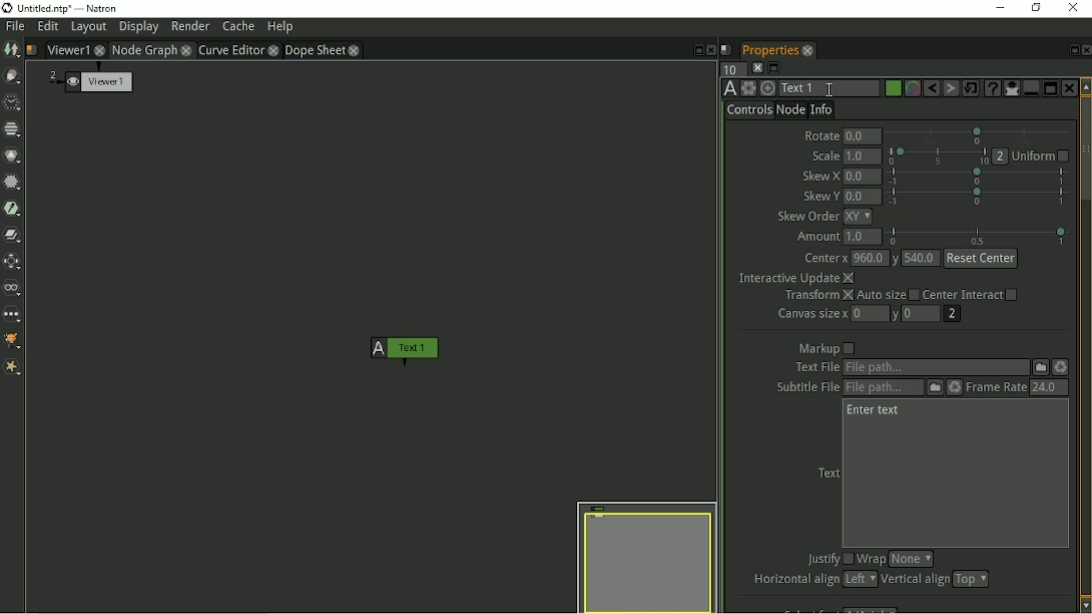 The image size is (1092, 614). What do you see at coordinates (816, 366) in the screenshot?
I see `text file` at bounding box center [816, 366].